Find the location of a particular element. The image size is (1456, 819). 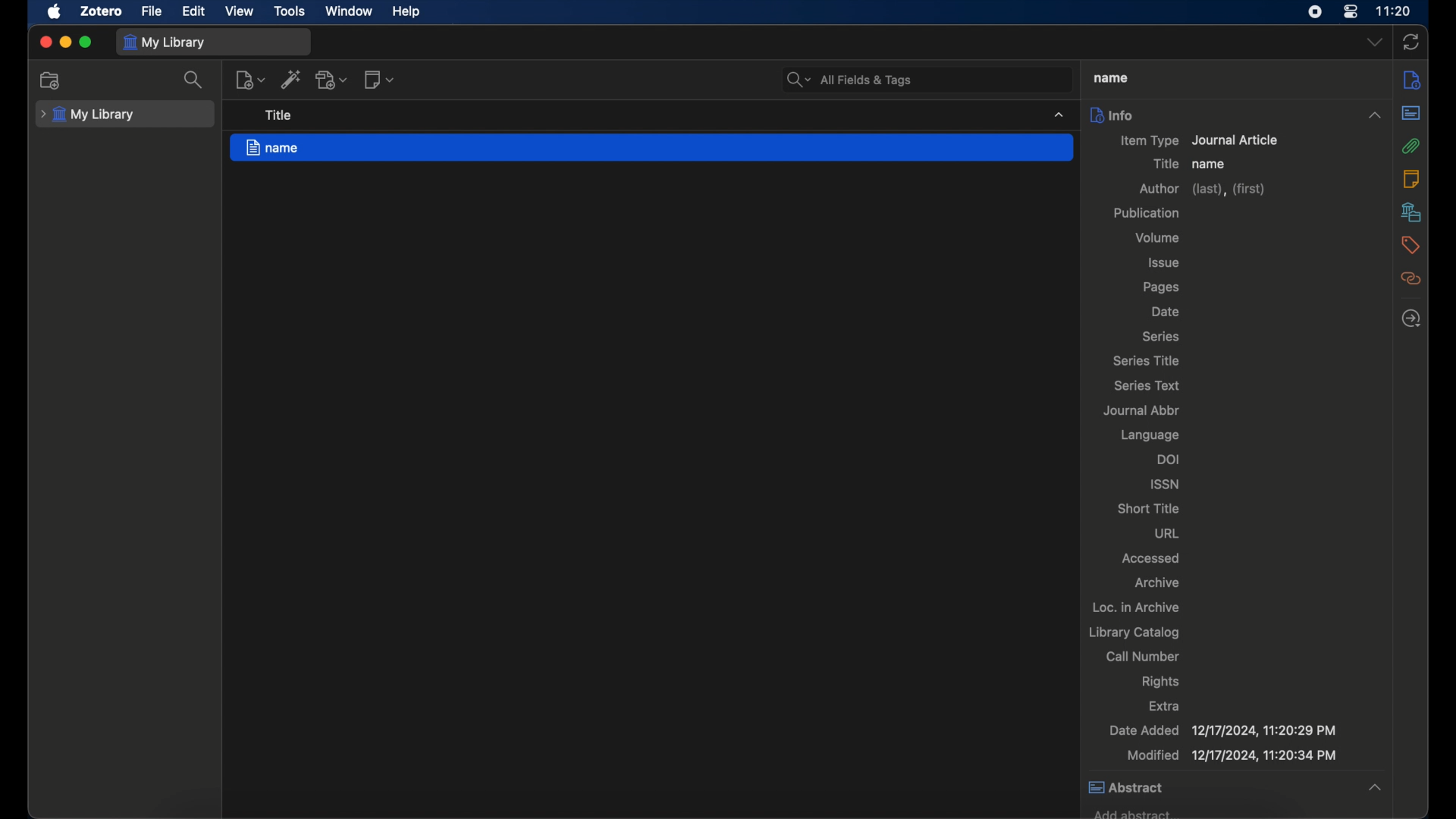

extra is located at coordinates (1164, 704).